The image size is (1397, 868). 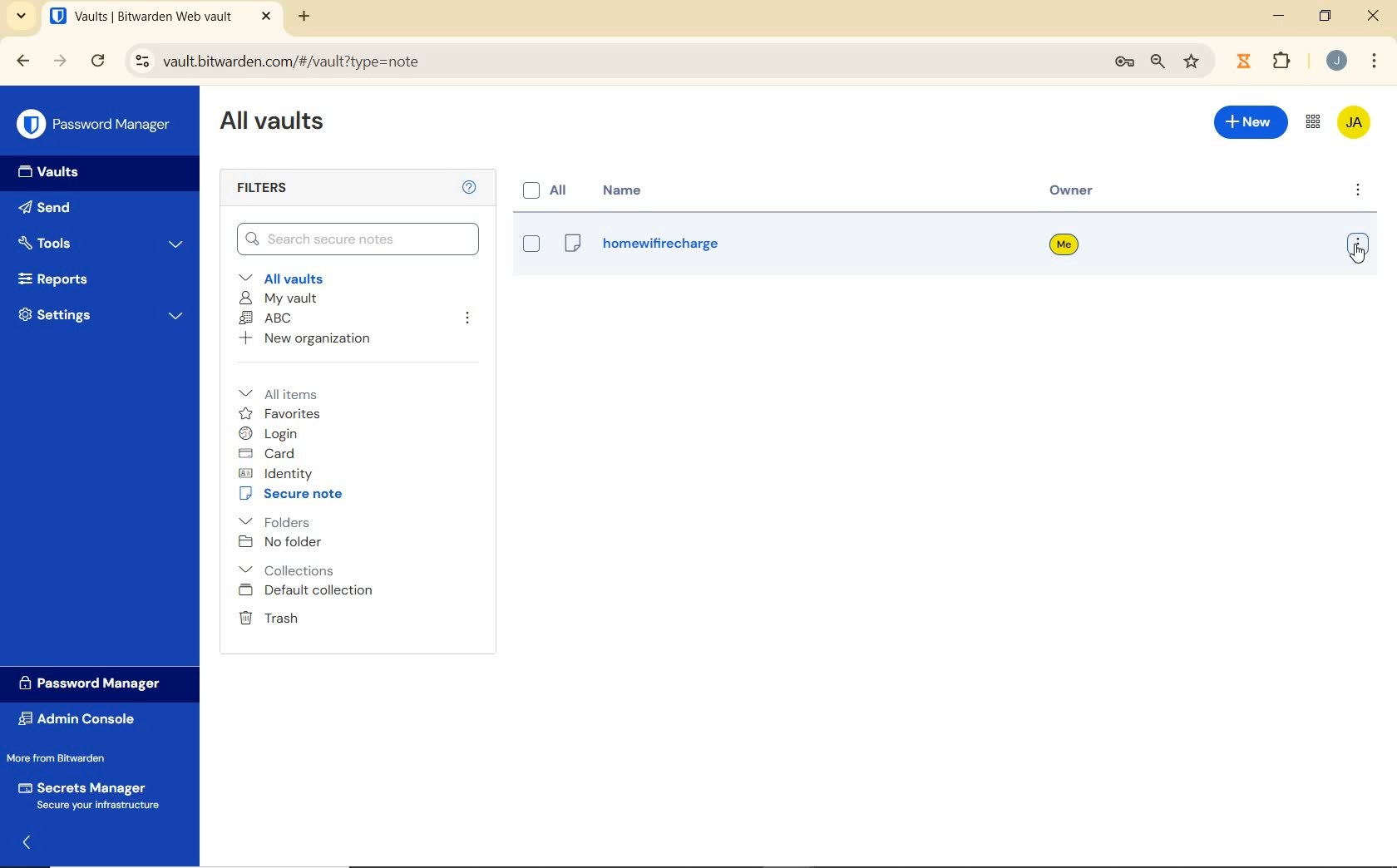 What do you see at coordinates (50, 206) in the screenshot?
I see `Send` at bounding box center [50, 206].